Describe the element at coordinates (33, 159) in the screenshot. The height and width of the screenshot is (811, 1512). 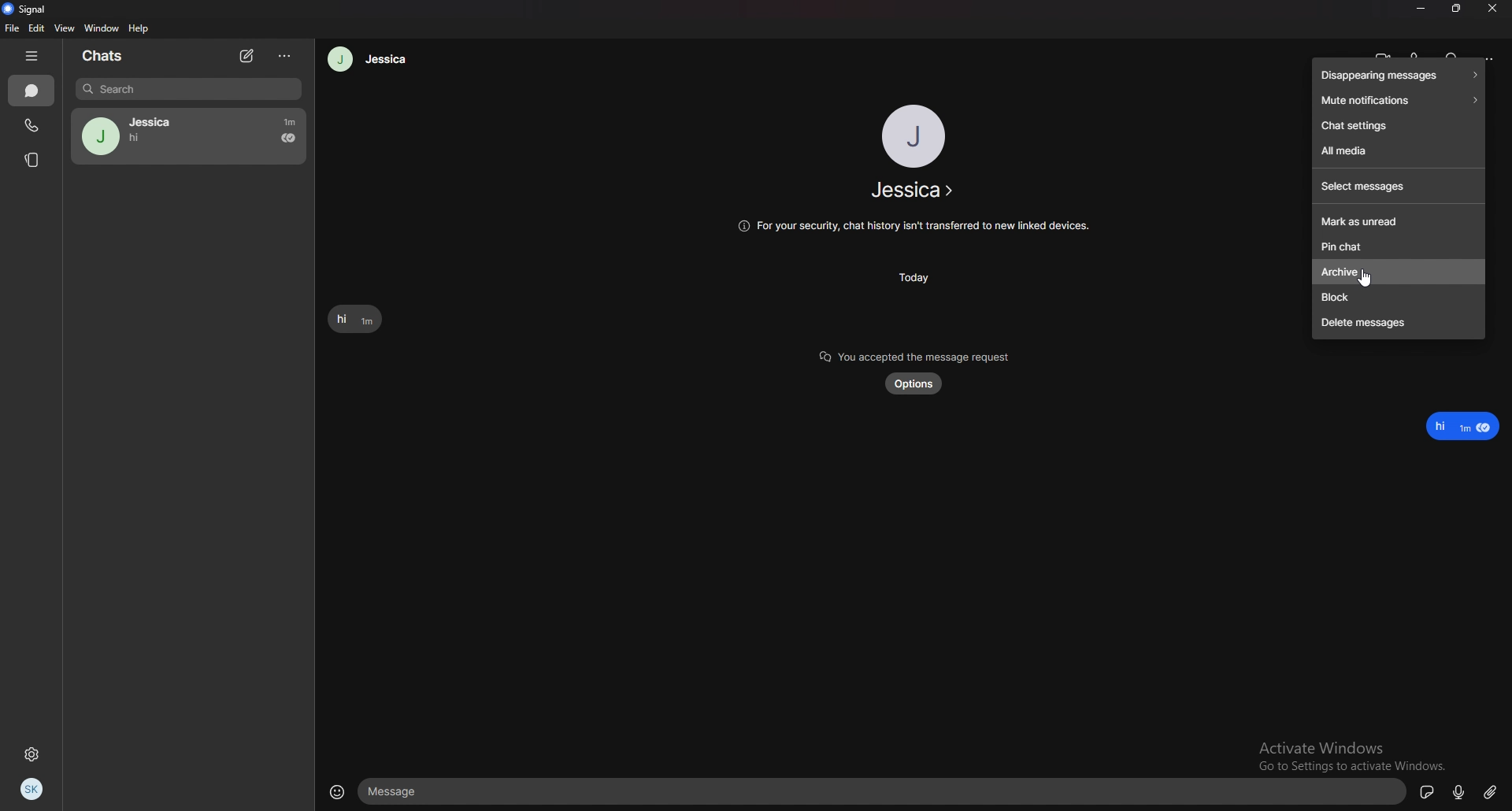
I see `Stories` at that location.